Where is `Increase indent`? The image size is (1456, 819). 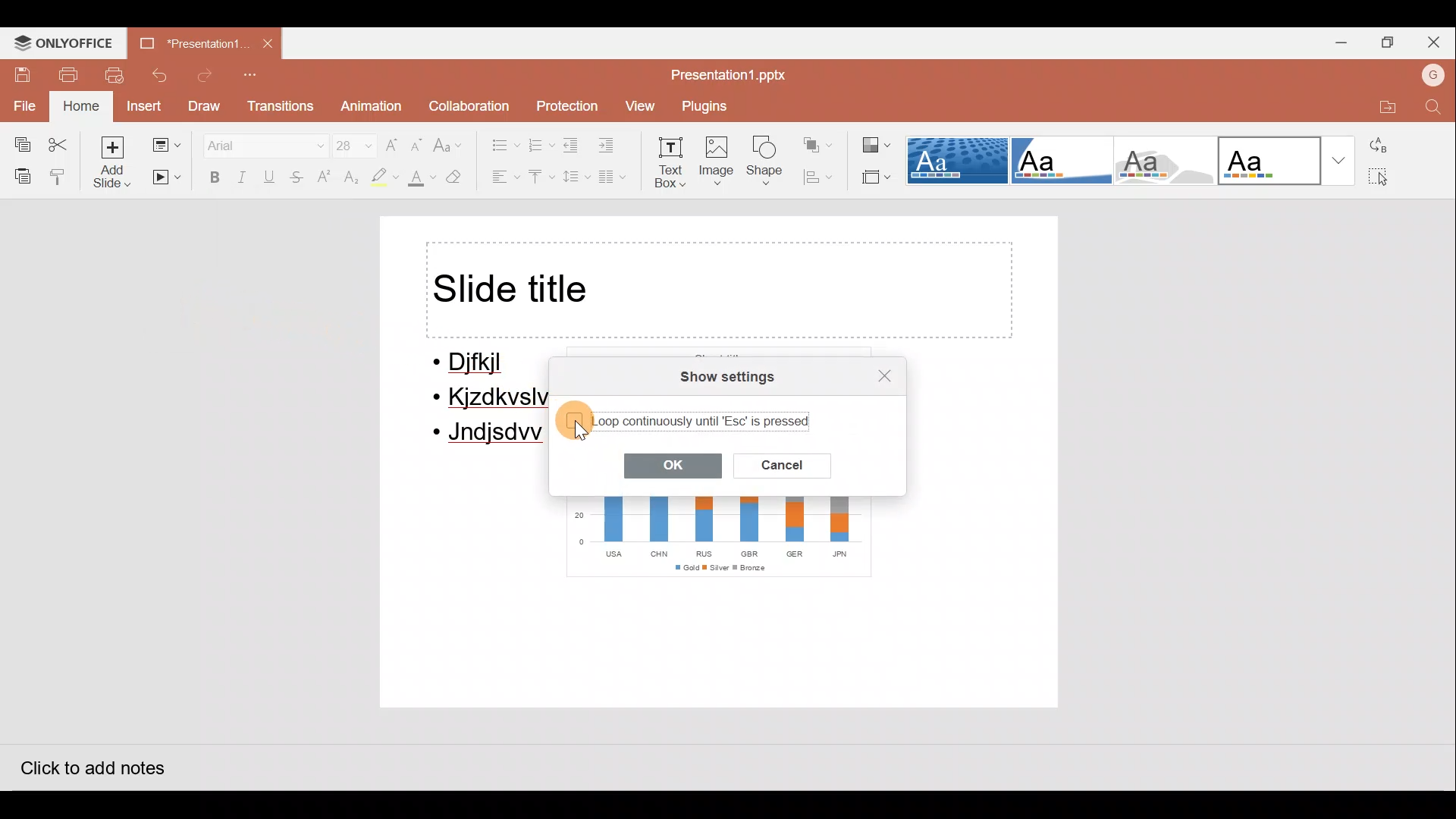 Increase indent is located at coordinates (613, 143).